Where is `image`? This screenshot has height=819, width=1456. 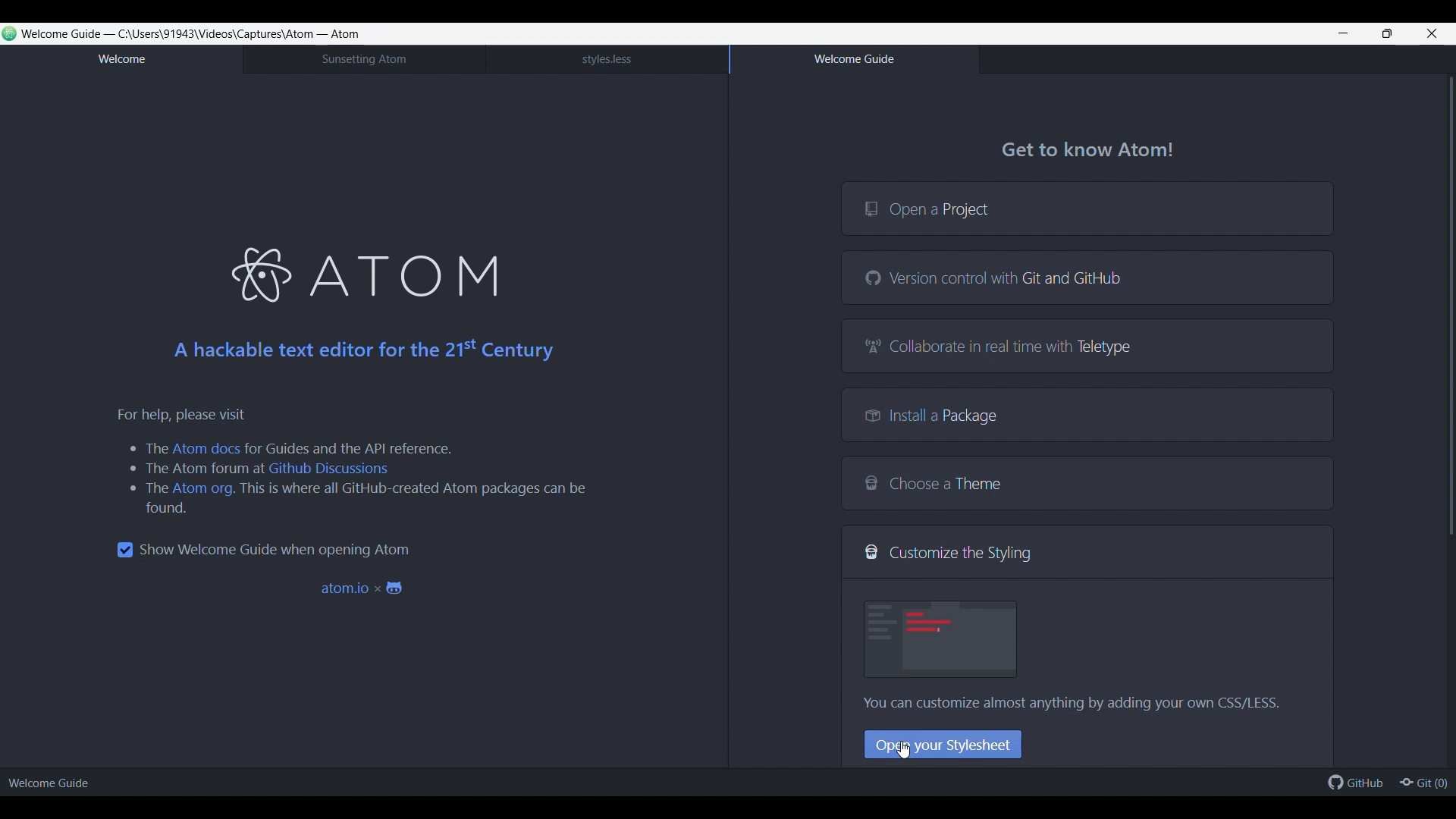 image is located at coordinates (942, 639).